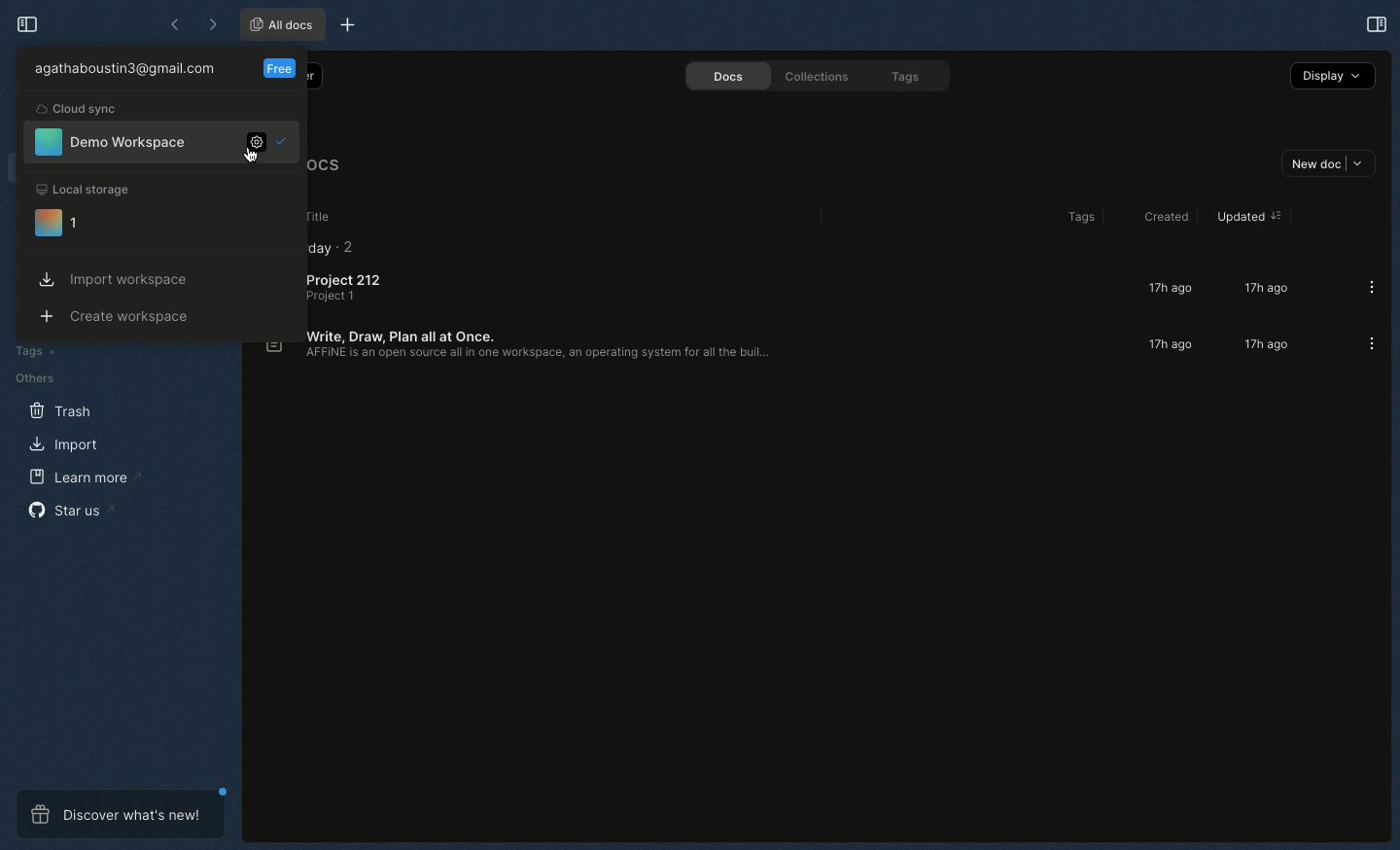 This screenshot has height=850, width=1400. Describe the element at coordinates (31, 351) in the screenshot. I see `Tags` at that location.